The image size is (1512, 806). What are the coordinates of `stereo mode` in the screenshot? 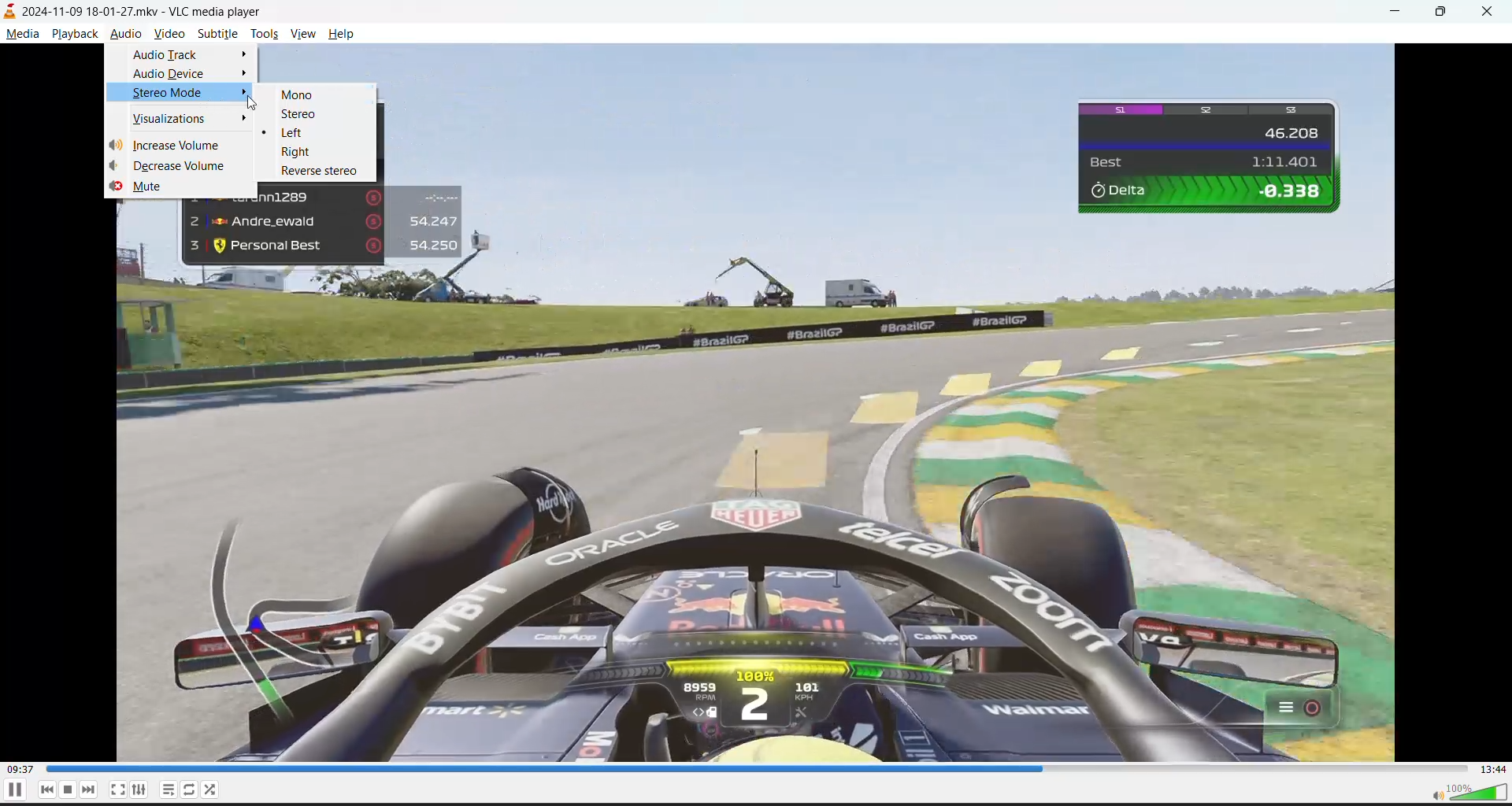 It's located at (171, 93).